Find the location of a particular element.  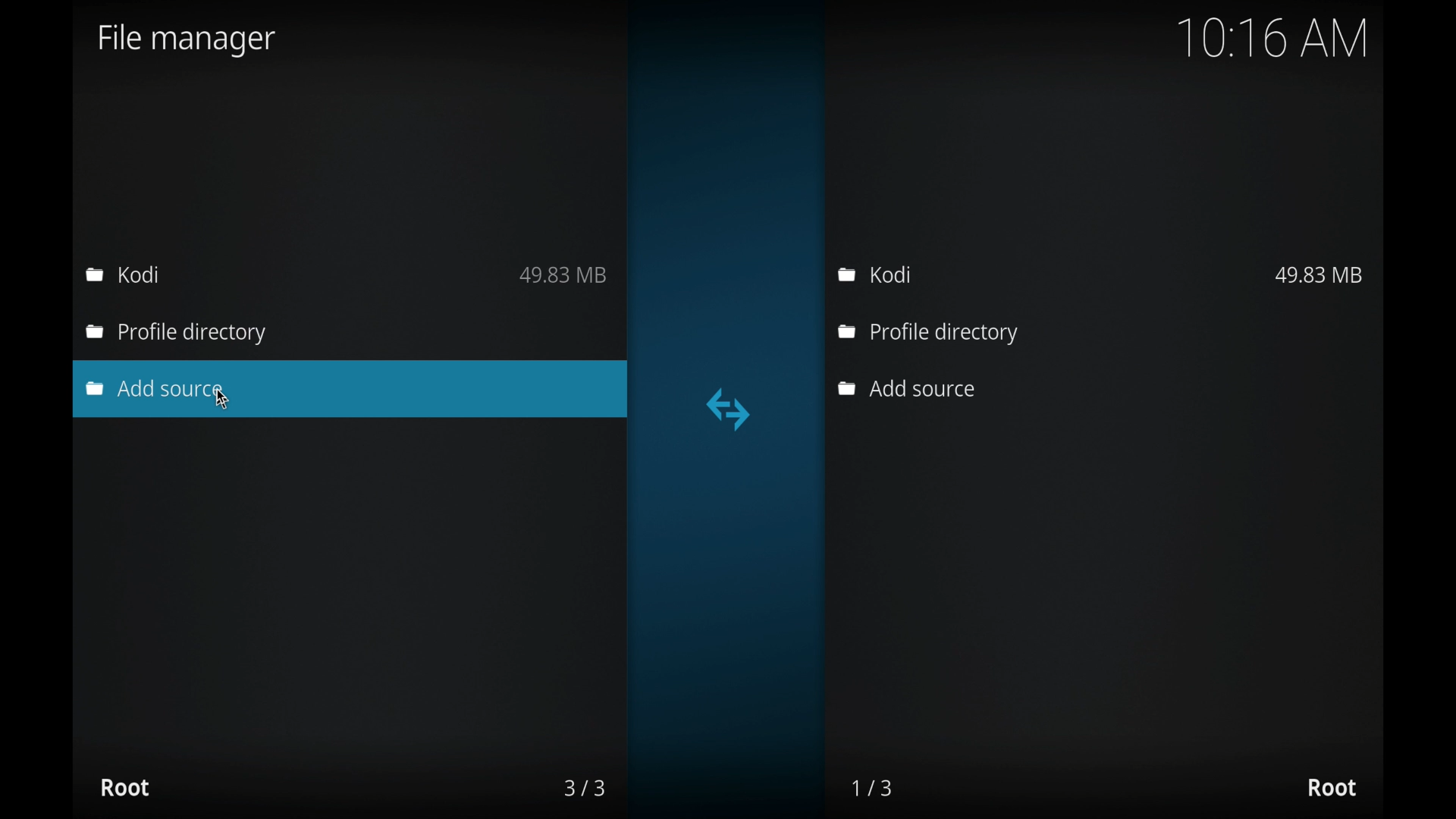

add source is located at coordinates (905, 389).